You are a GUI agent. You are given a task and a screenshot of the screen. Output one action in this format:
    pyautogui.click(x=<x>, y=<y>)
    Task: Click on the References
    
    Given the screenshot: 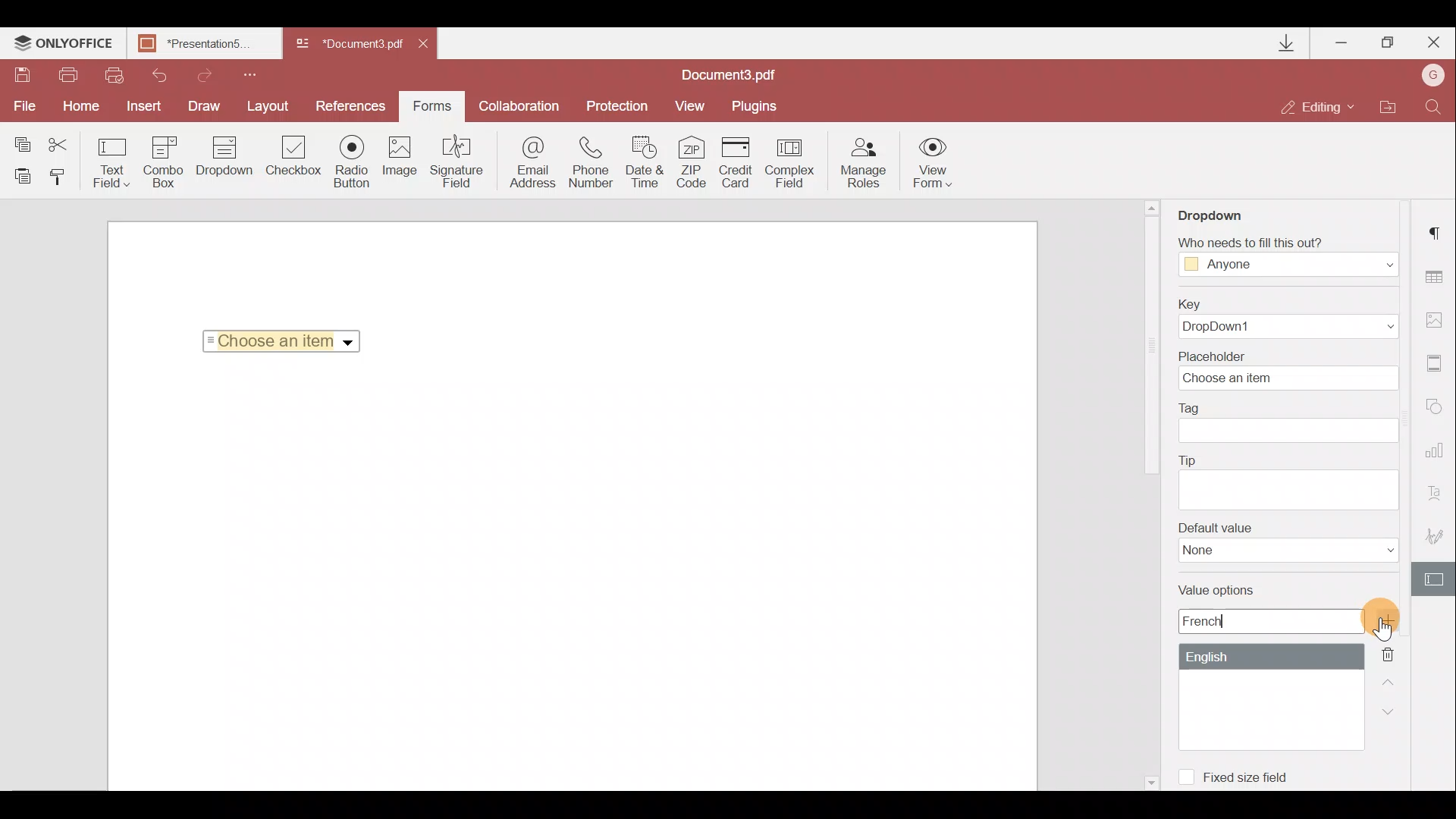 What is the action you would take?
    pyautogui.click(x=353, y=105)
    